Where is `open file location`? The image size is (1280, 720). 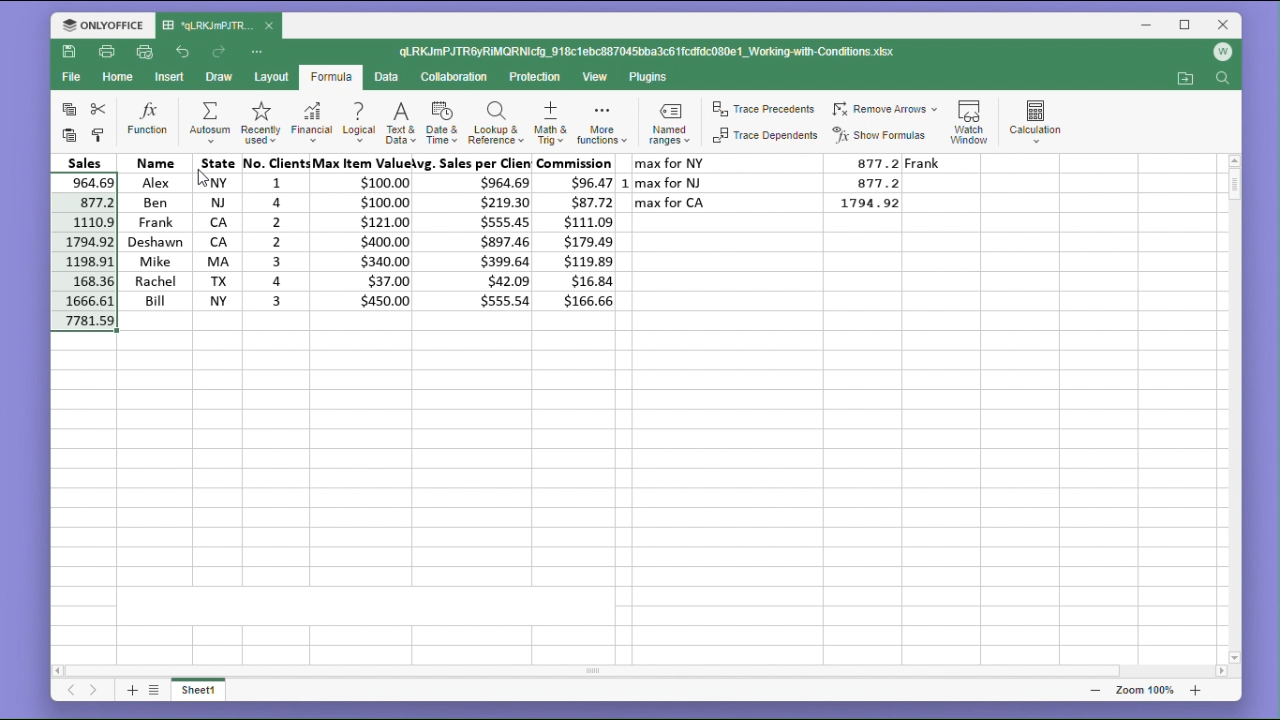 open file location is located at coordinates (1185, 79).